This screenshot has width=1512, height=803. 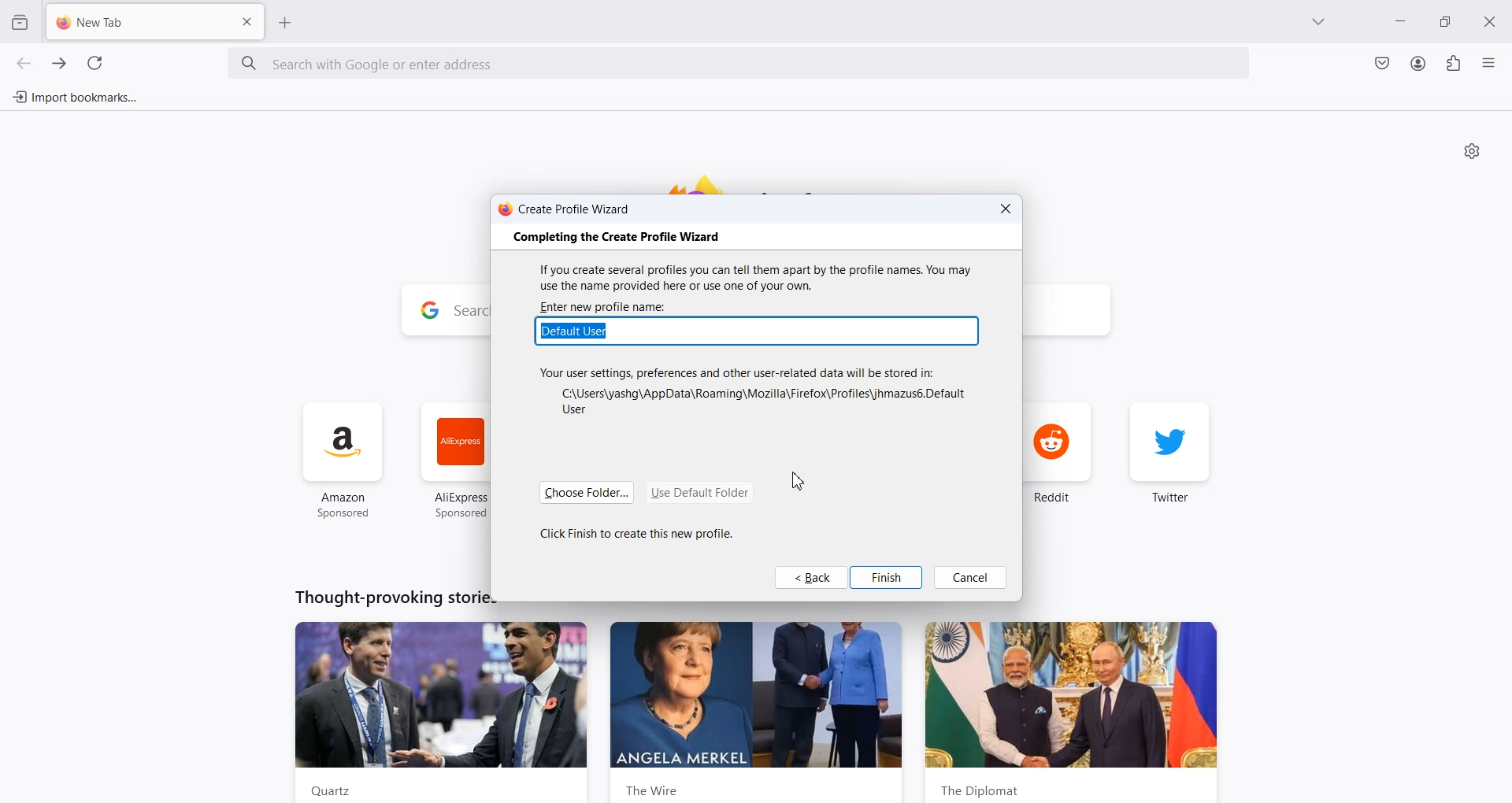 I want to click on View Recent browsing, so click(x=20, y=21).